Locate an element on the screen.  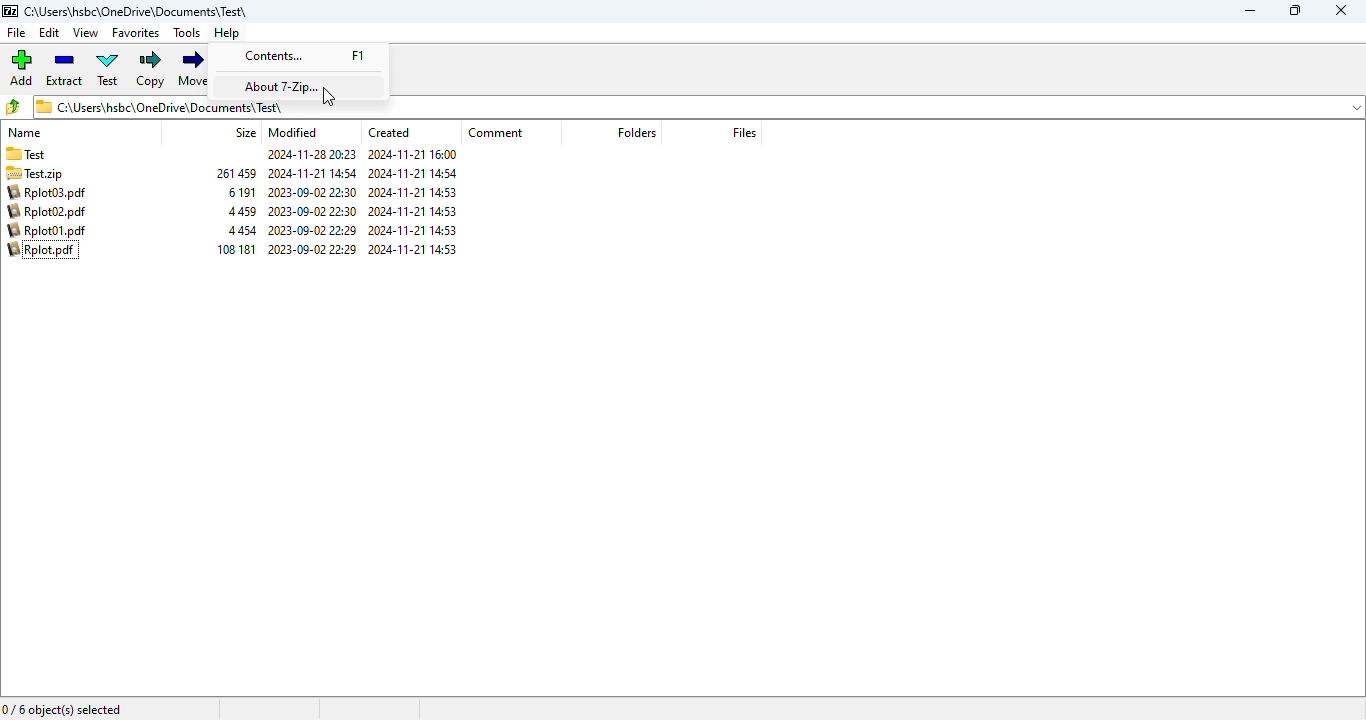
file is located at coordinates (17, 33).